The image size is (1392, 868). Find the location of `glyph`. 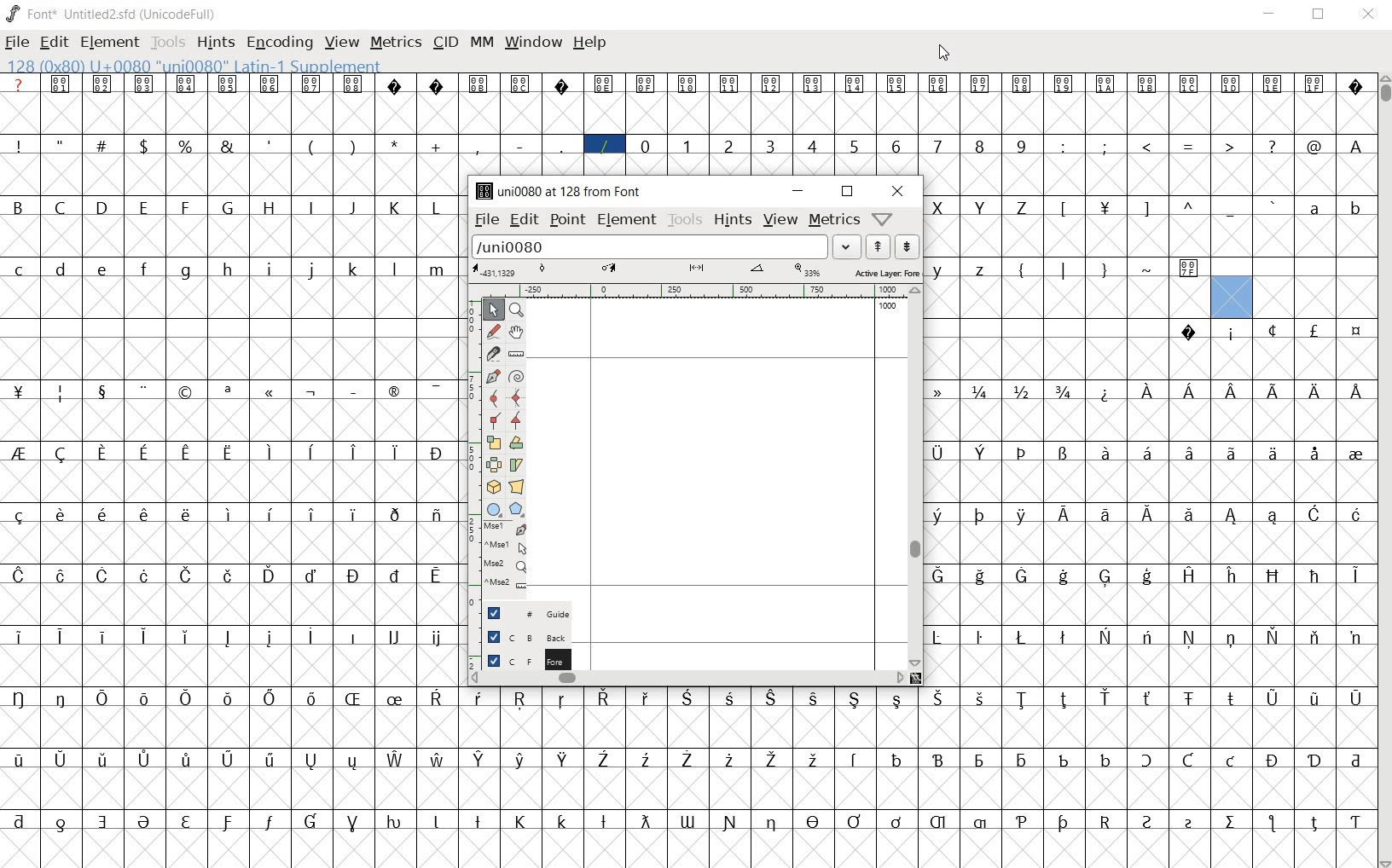

glyph is located at coordinates (61, 84).